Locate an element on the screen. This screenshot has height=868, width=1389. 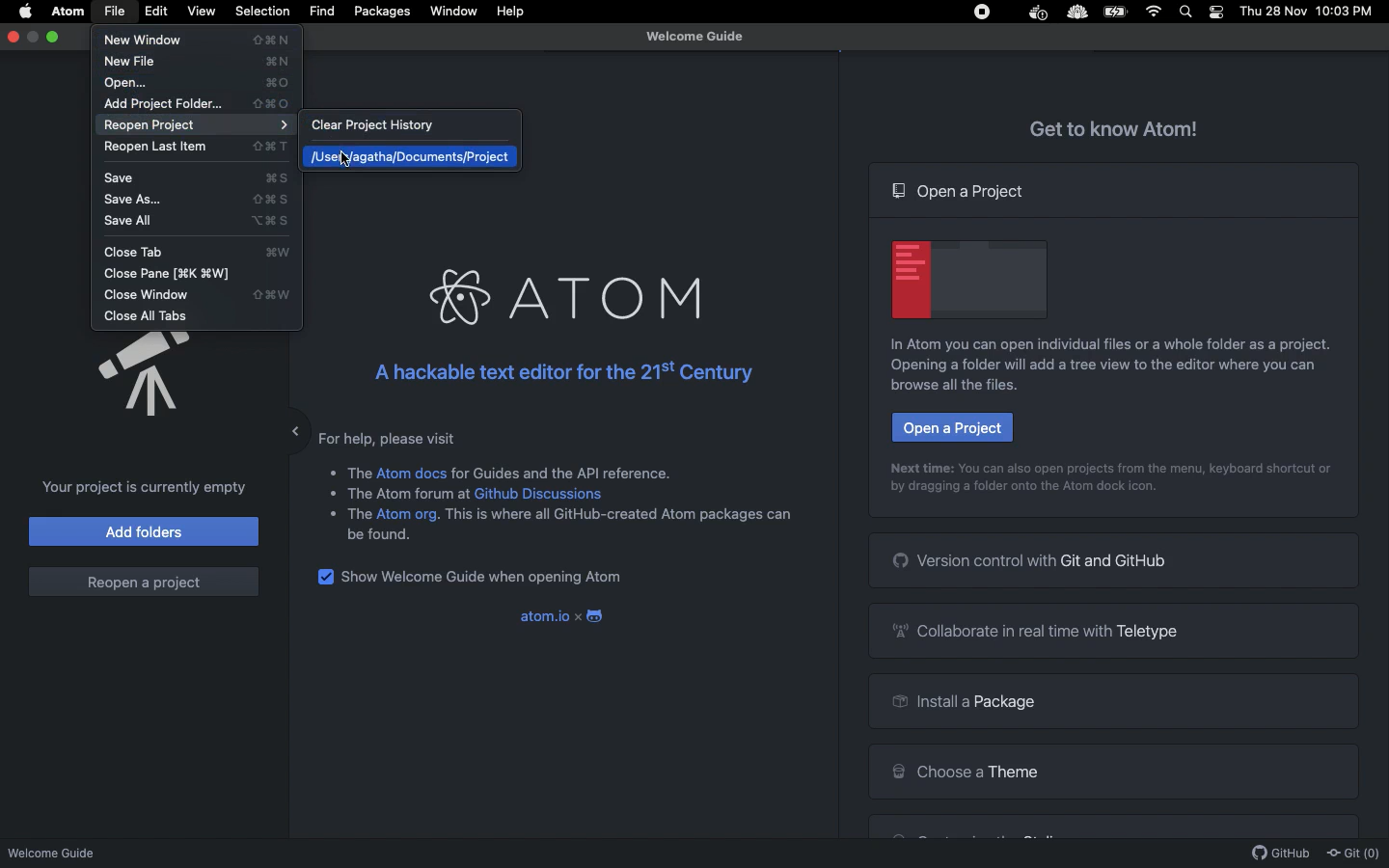
Instructional text is located at coordinates (1100, 344).